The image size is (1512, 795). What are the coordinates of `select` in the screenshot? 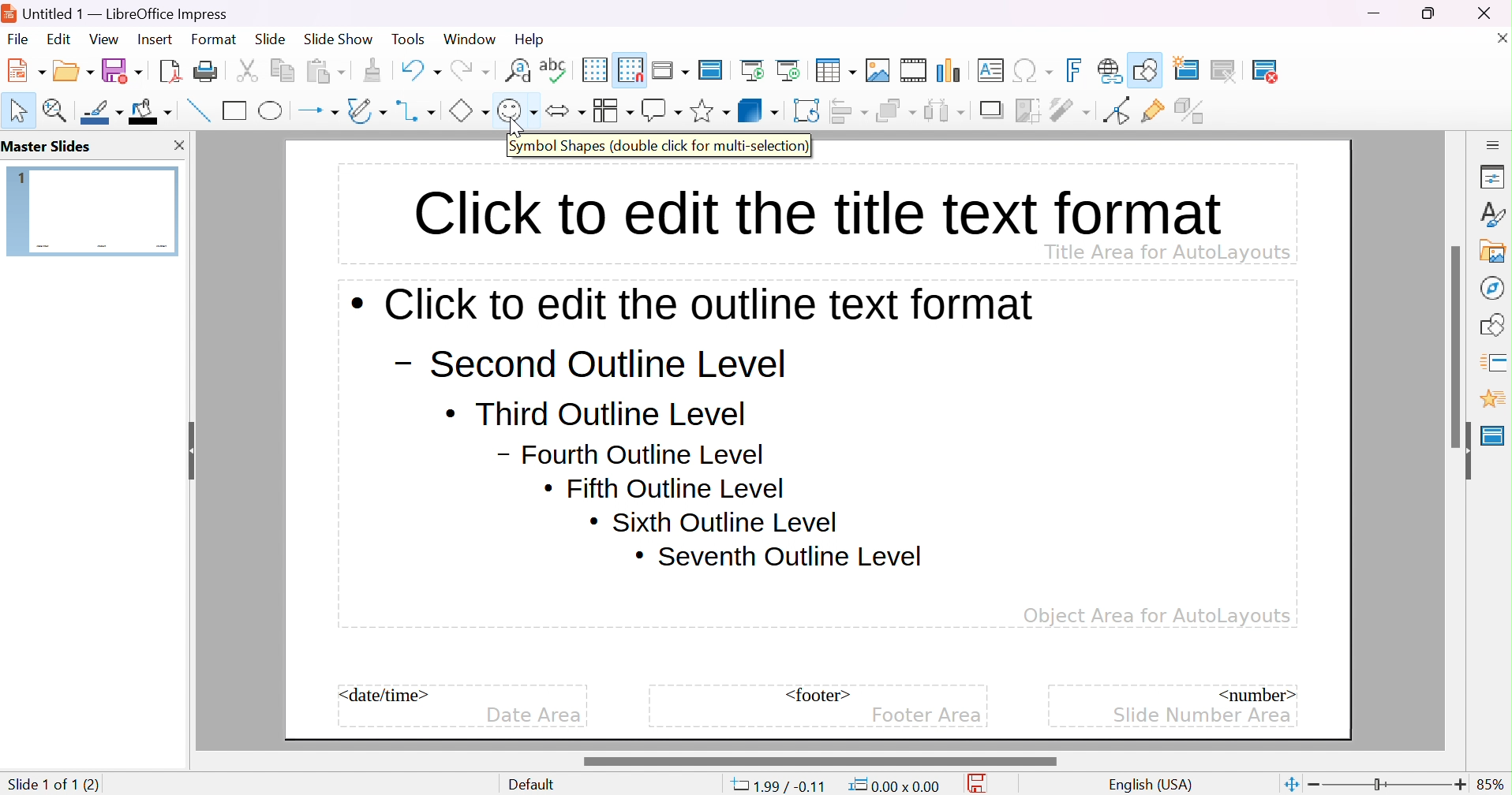 It's located at (20, 110).